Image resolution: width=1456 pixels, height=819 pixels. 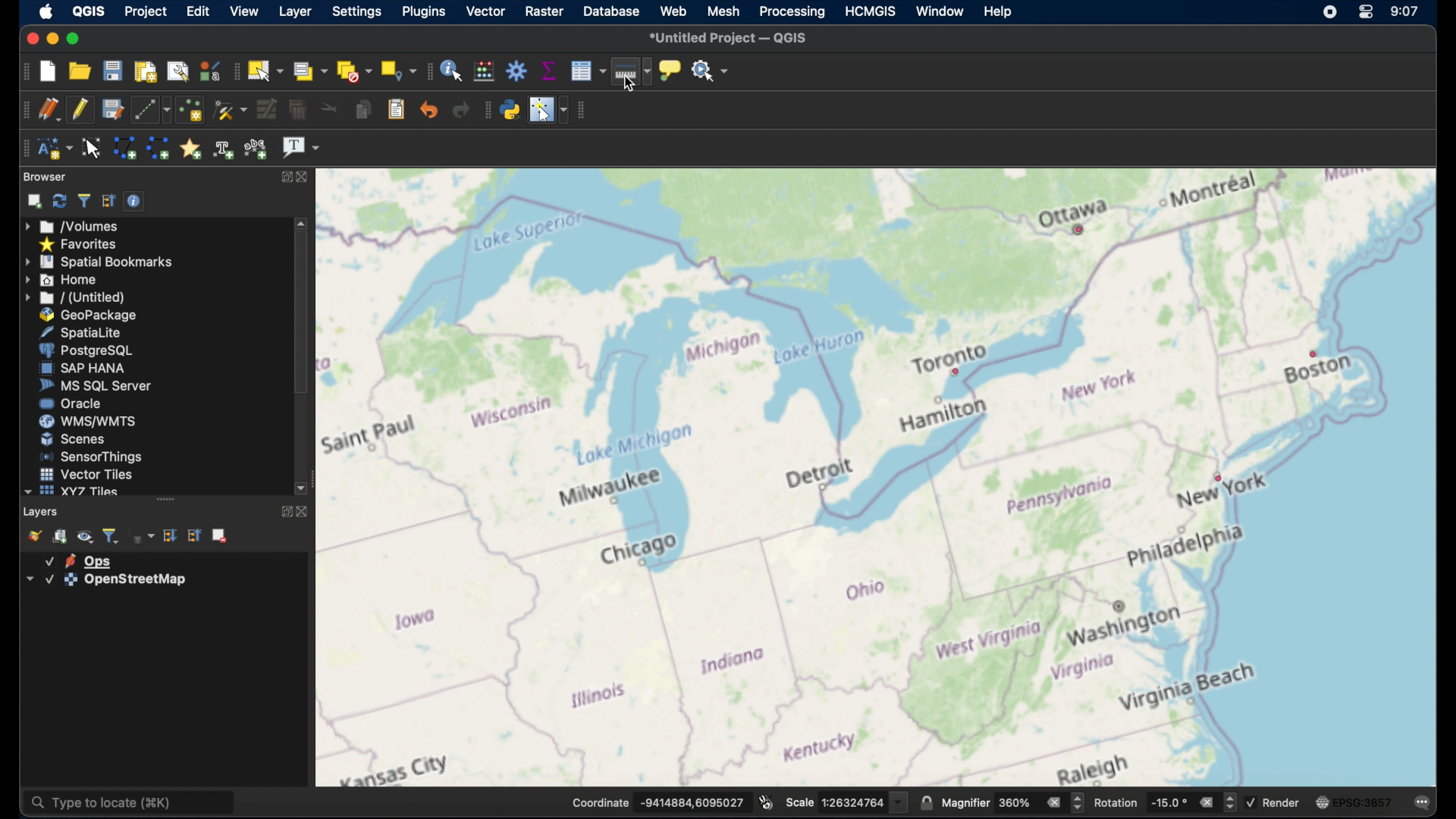 I want to click on help, so click(x=996, y=11).